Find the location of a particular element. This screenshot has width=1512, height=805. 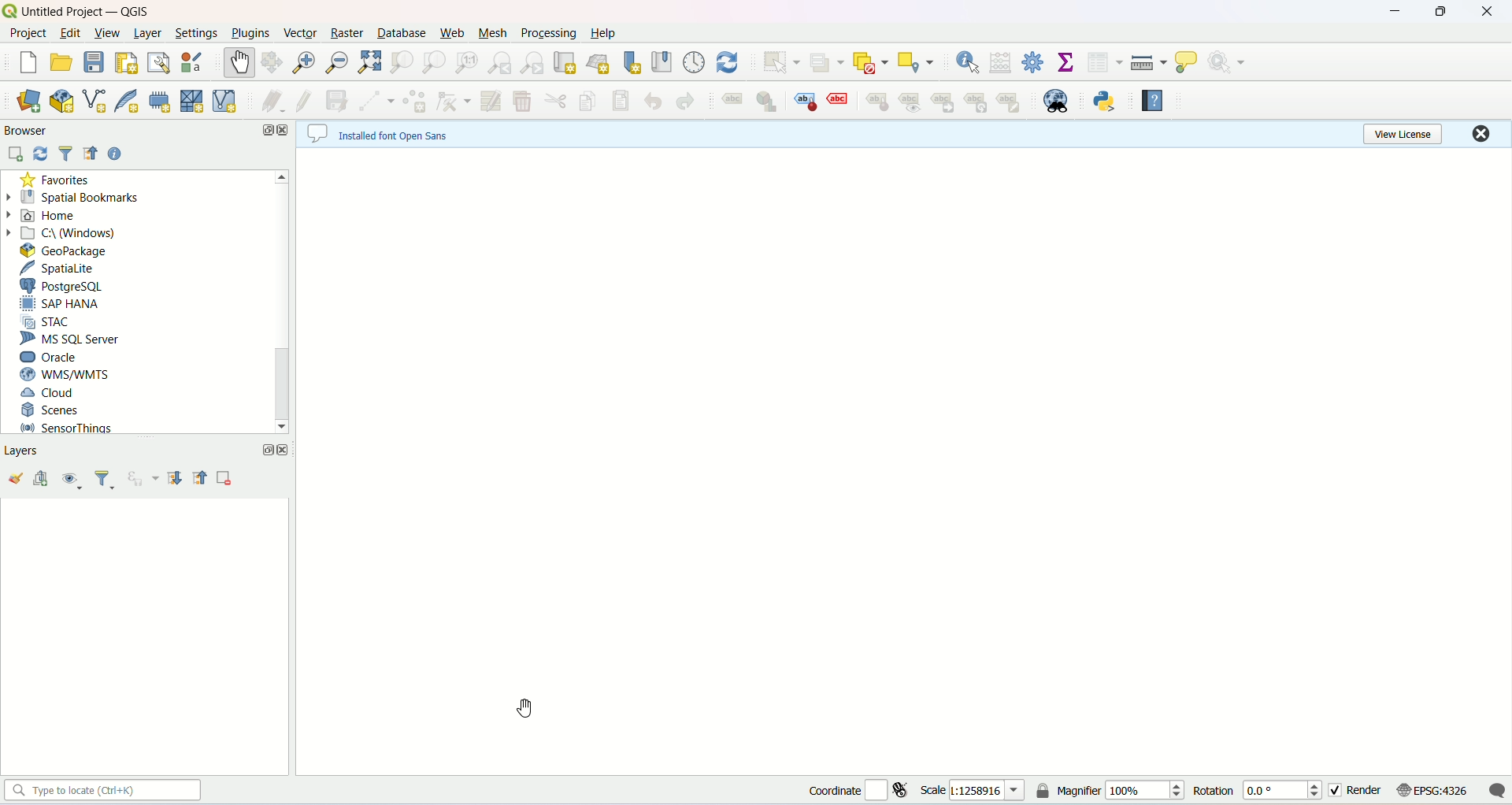

redo is located at coordinates (682, 100).